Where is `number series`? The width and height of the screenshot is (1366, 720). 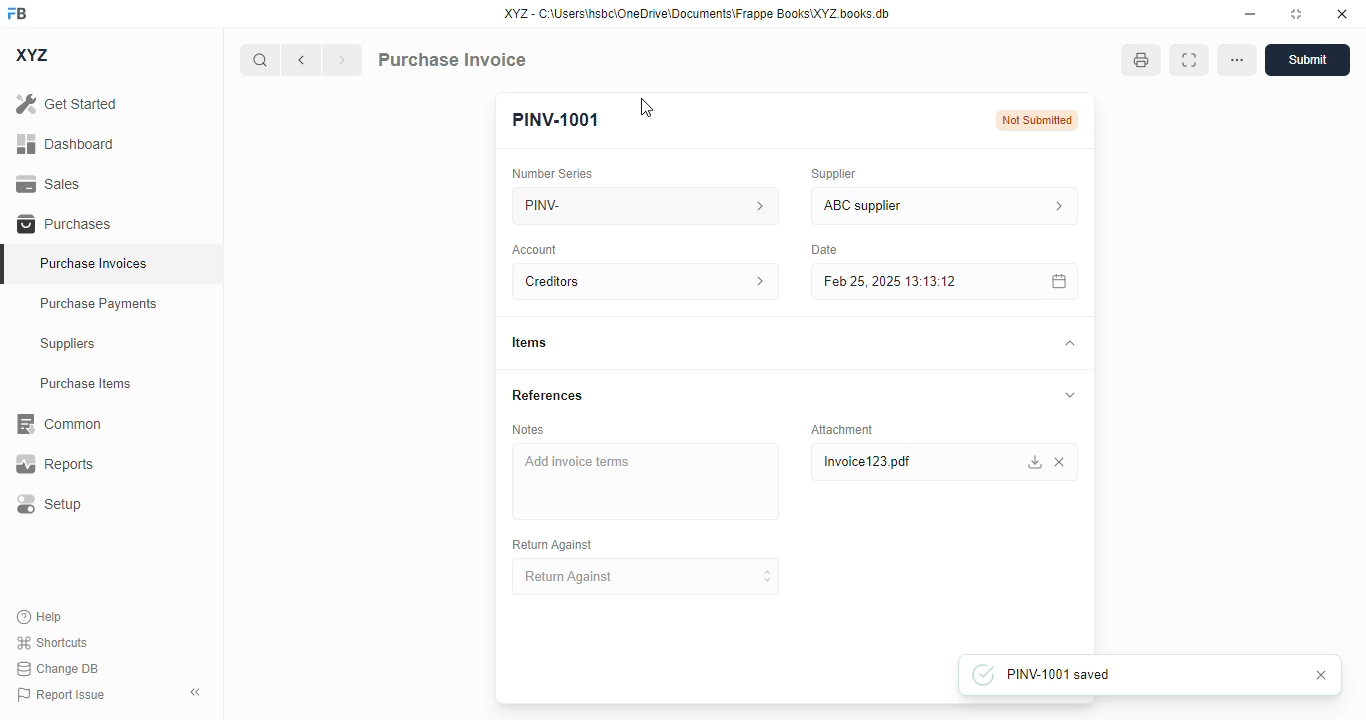 number series is located at coordinates (553, 173).